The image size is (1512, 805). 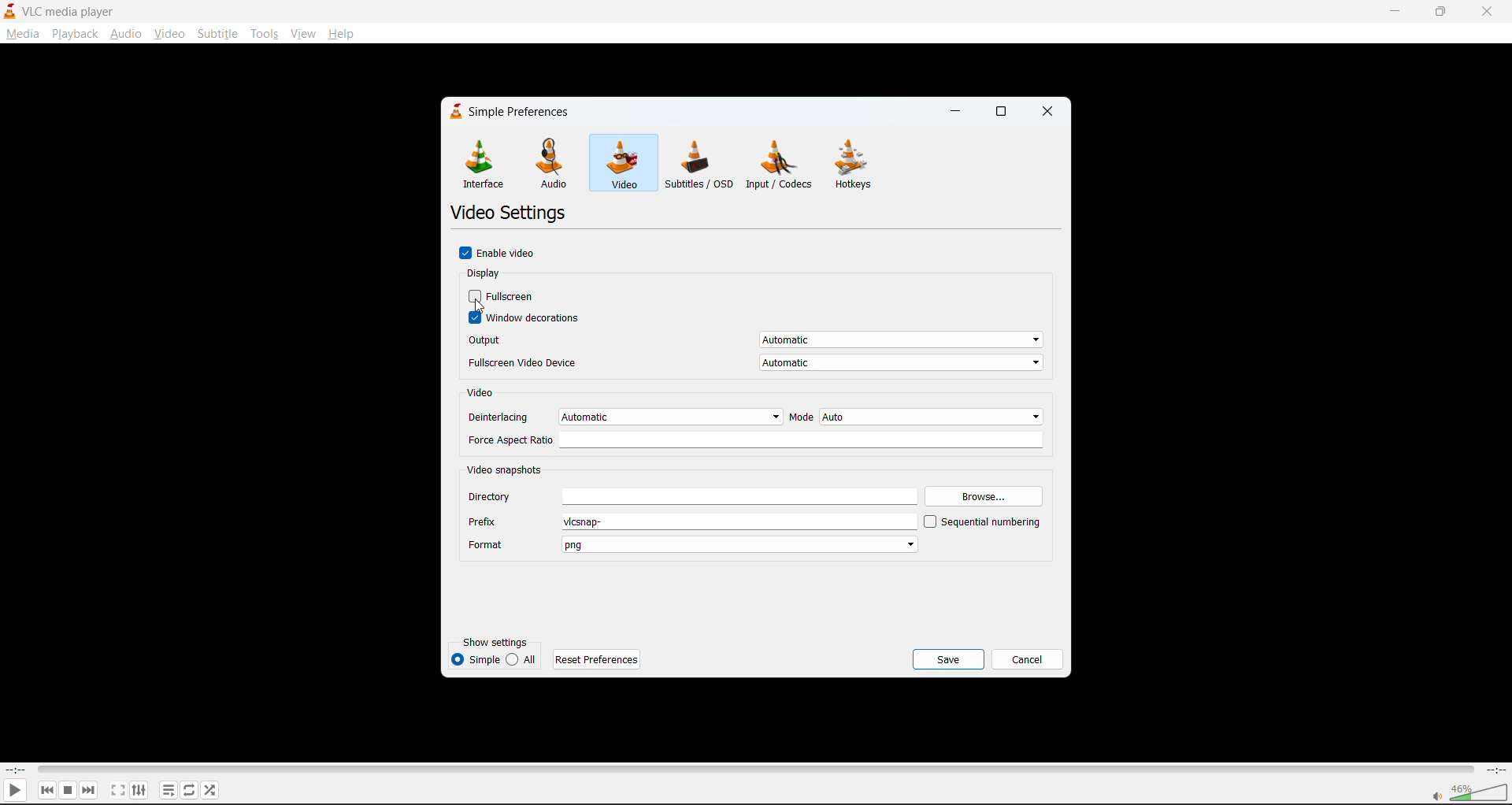 What do you see at coordinates (303, 34) in the screenshot?
I see `view` at bounding box center [303, 34].